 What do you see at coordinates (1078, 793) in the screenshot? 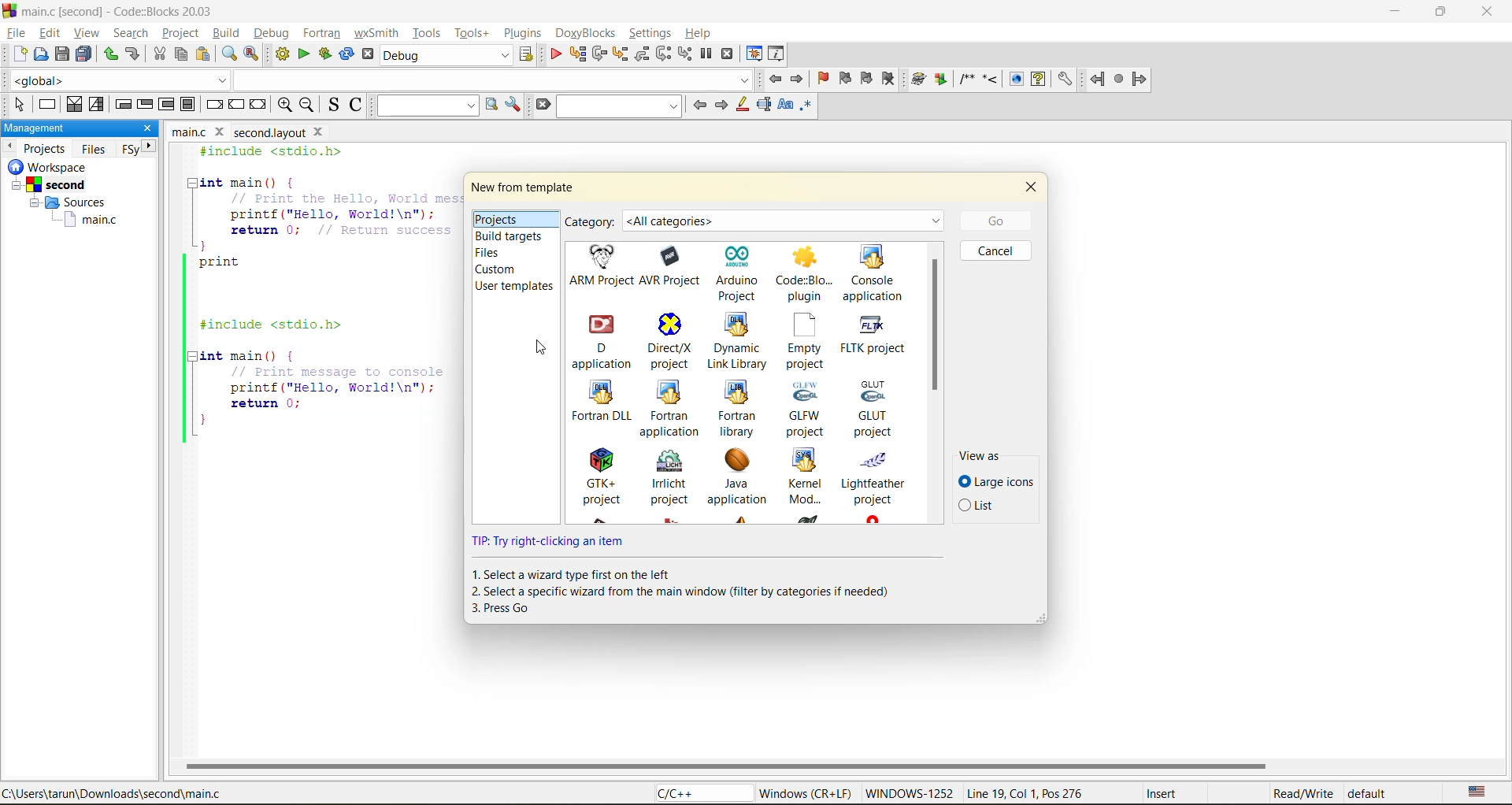
I see `metadata` at bounding box center [1078, 793].